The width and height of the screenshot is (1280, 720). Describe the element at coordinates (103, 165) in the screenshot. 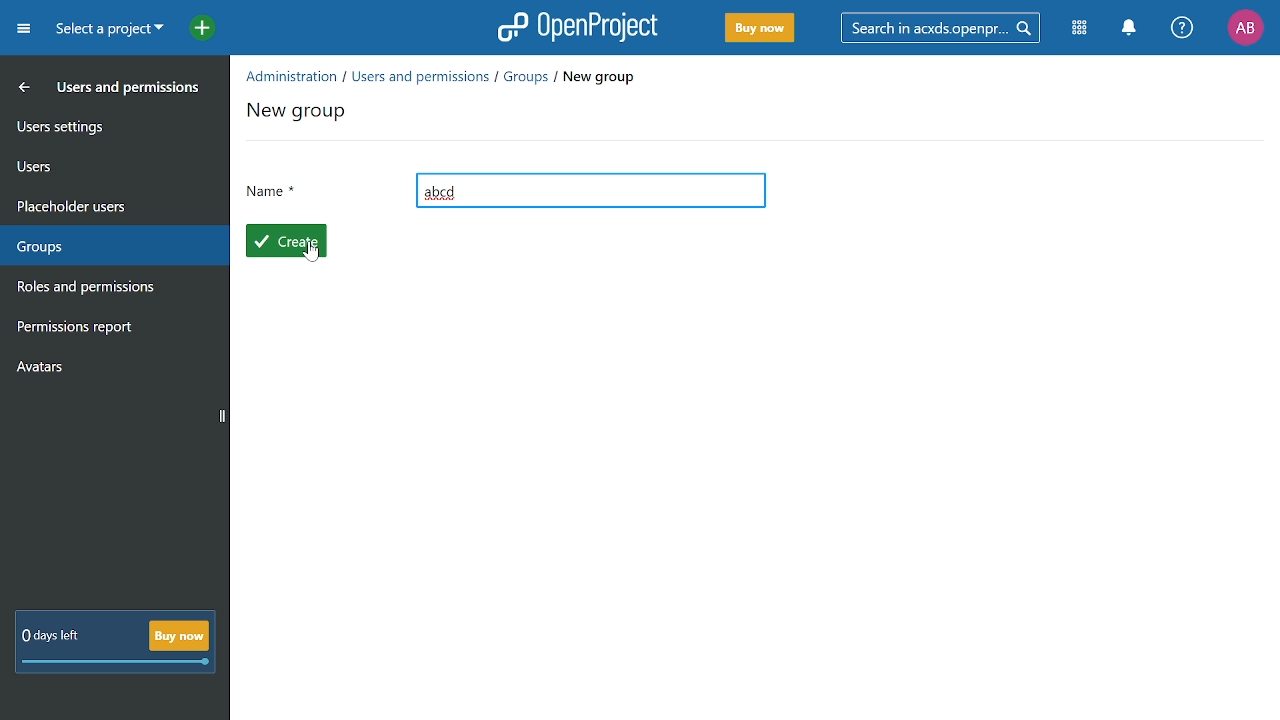

I see `users` at that location.